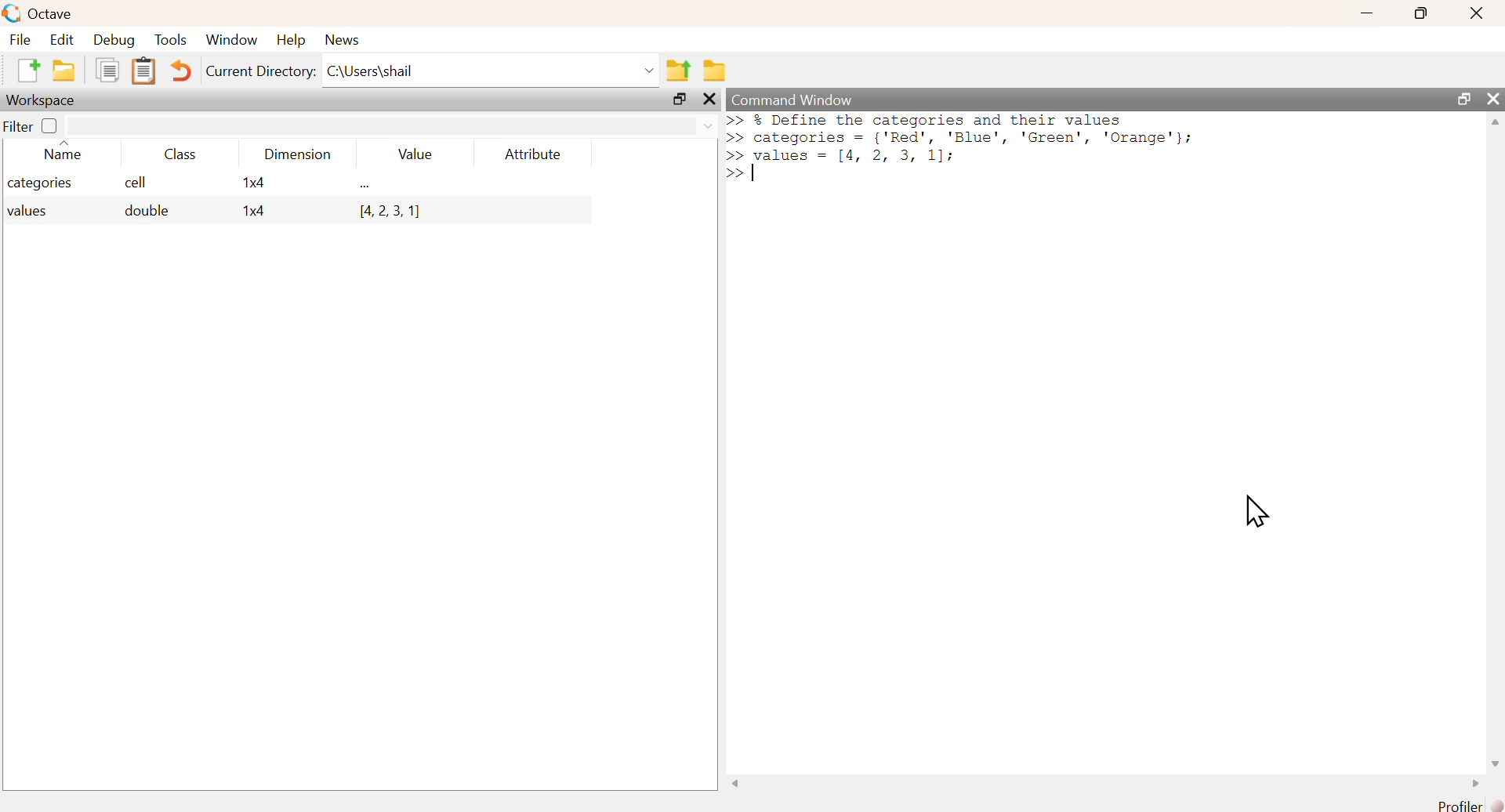  I want to click on minimize, so click(1367, 13).